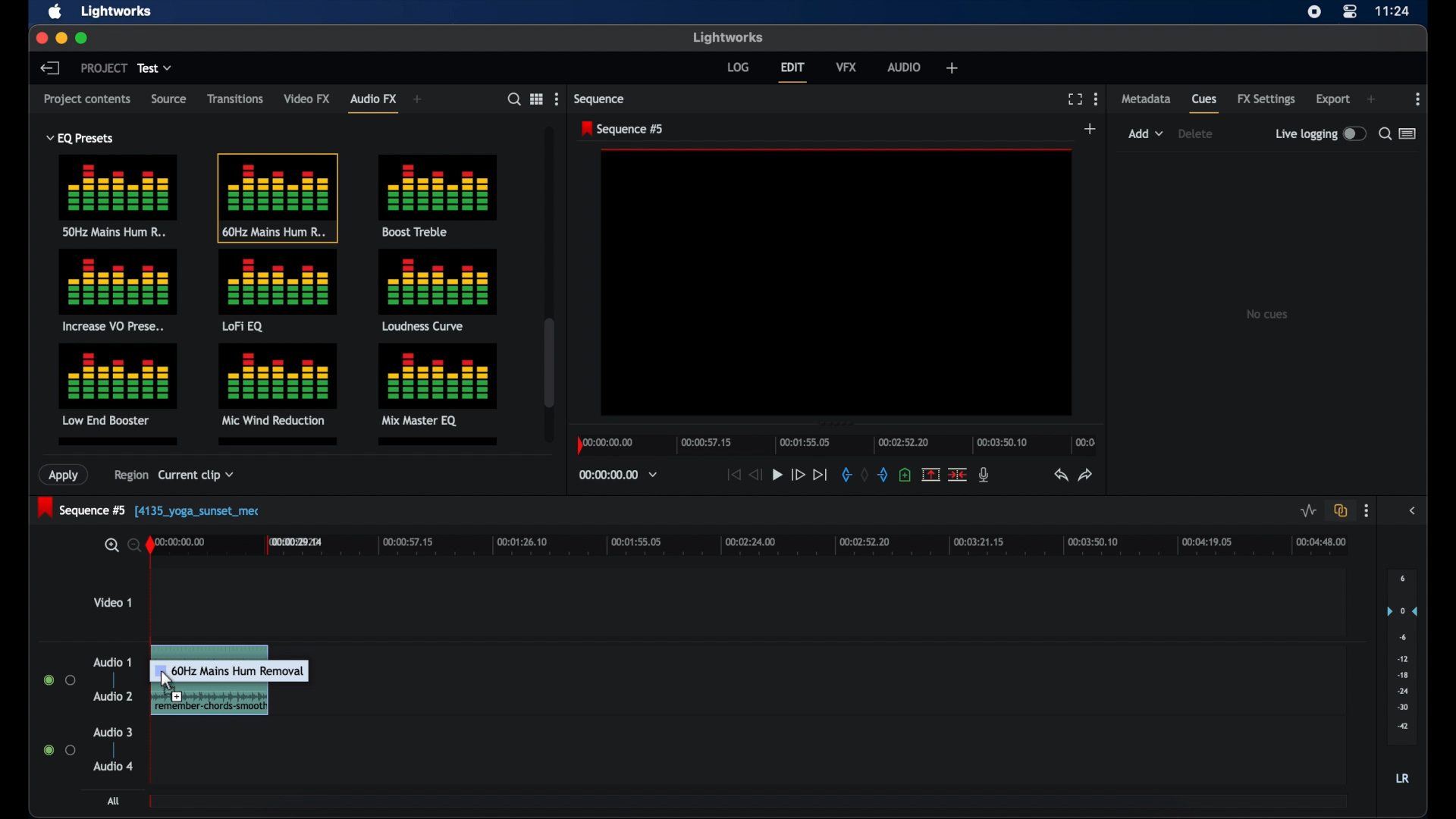 Image resolution: width=1456 pixels, height=819 pixels. What do you see at coordinates (1096, 99) in the screenshot?
I see `more options` at bounding box center [1096, 99].